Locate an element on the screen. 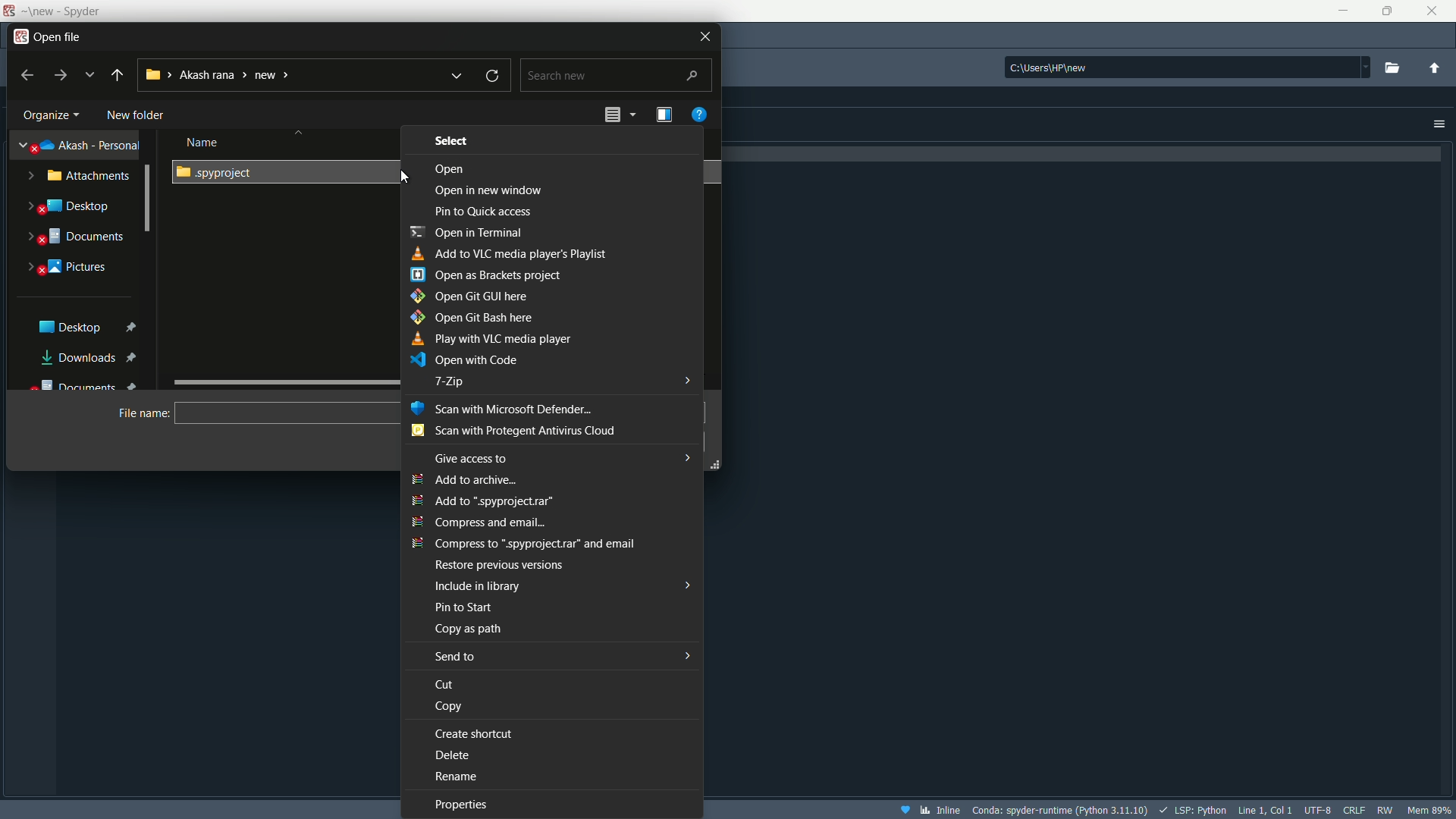  back is located at coordinates (116, 77).